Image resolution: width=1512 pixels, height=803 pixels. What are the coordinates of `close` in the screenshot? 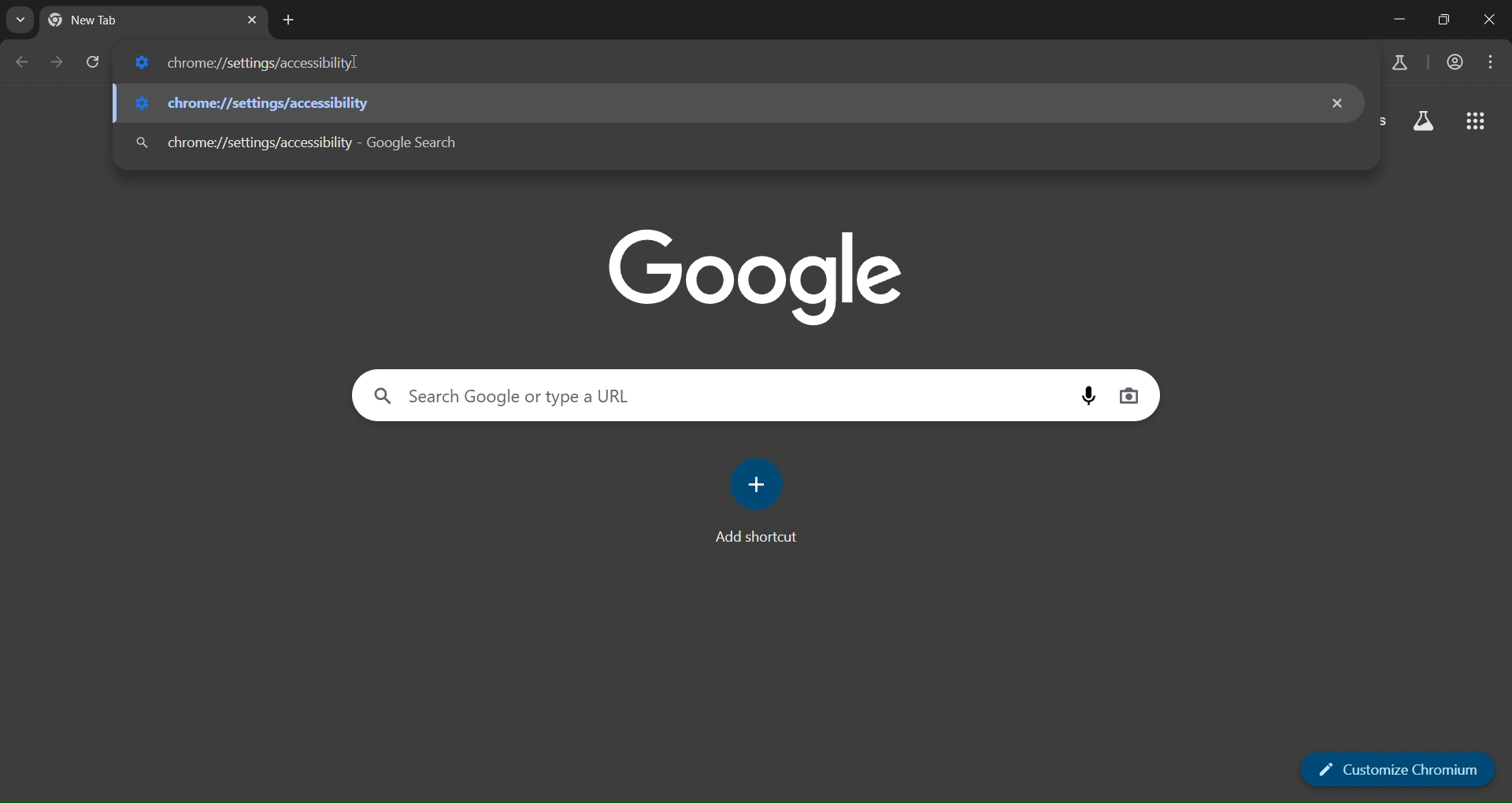 It's located at (1487, 20).